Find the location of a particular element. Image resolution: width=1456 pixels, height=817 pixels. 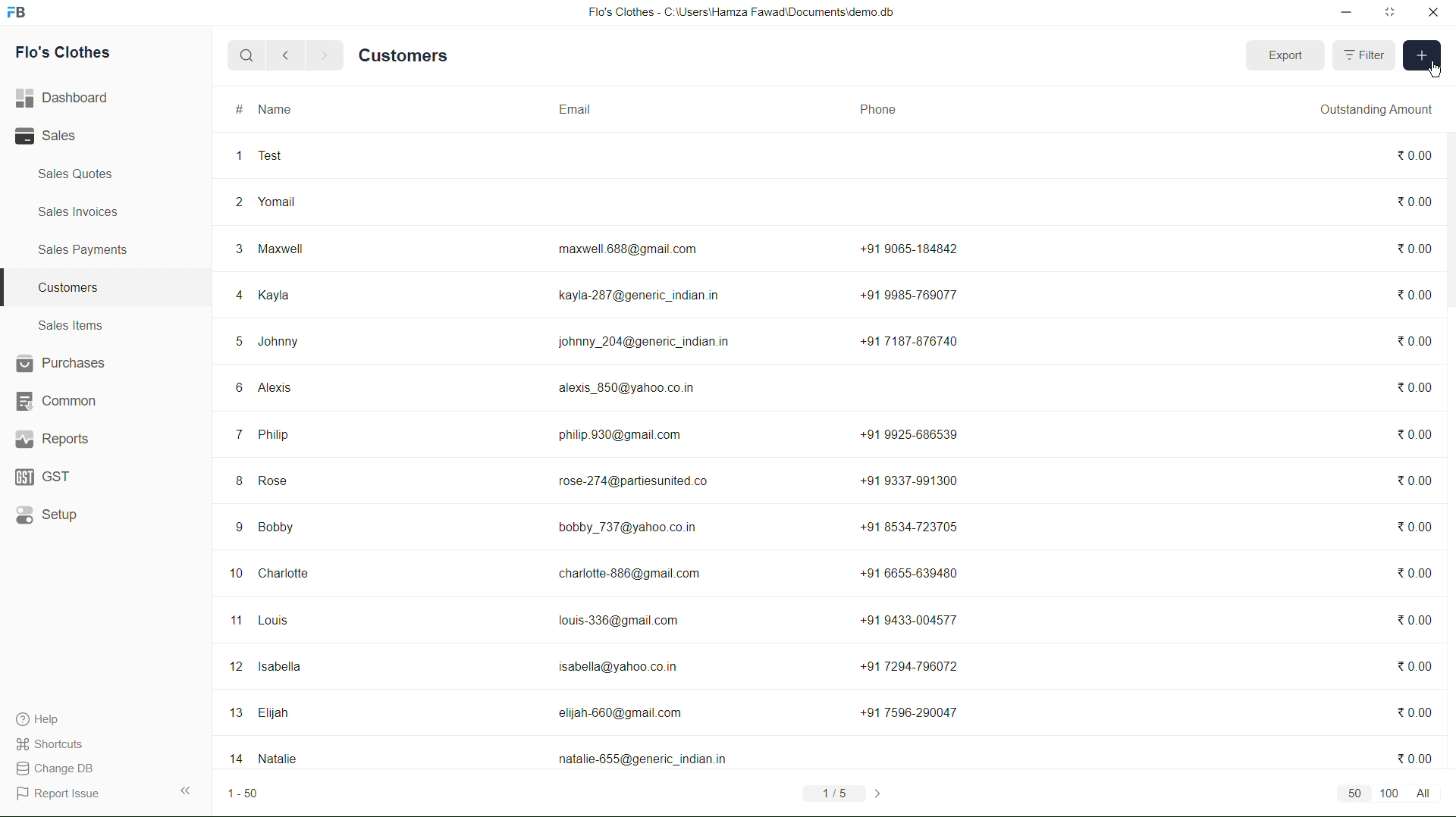

maxwell 688@gmail.com is located at coordinates (629, 250).